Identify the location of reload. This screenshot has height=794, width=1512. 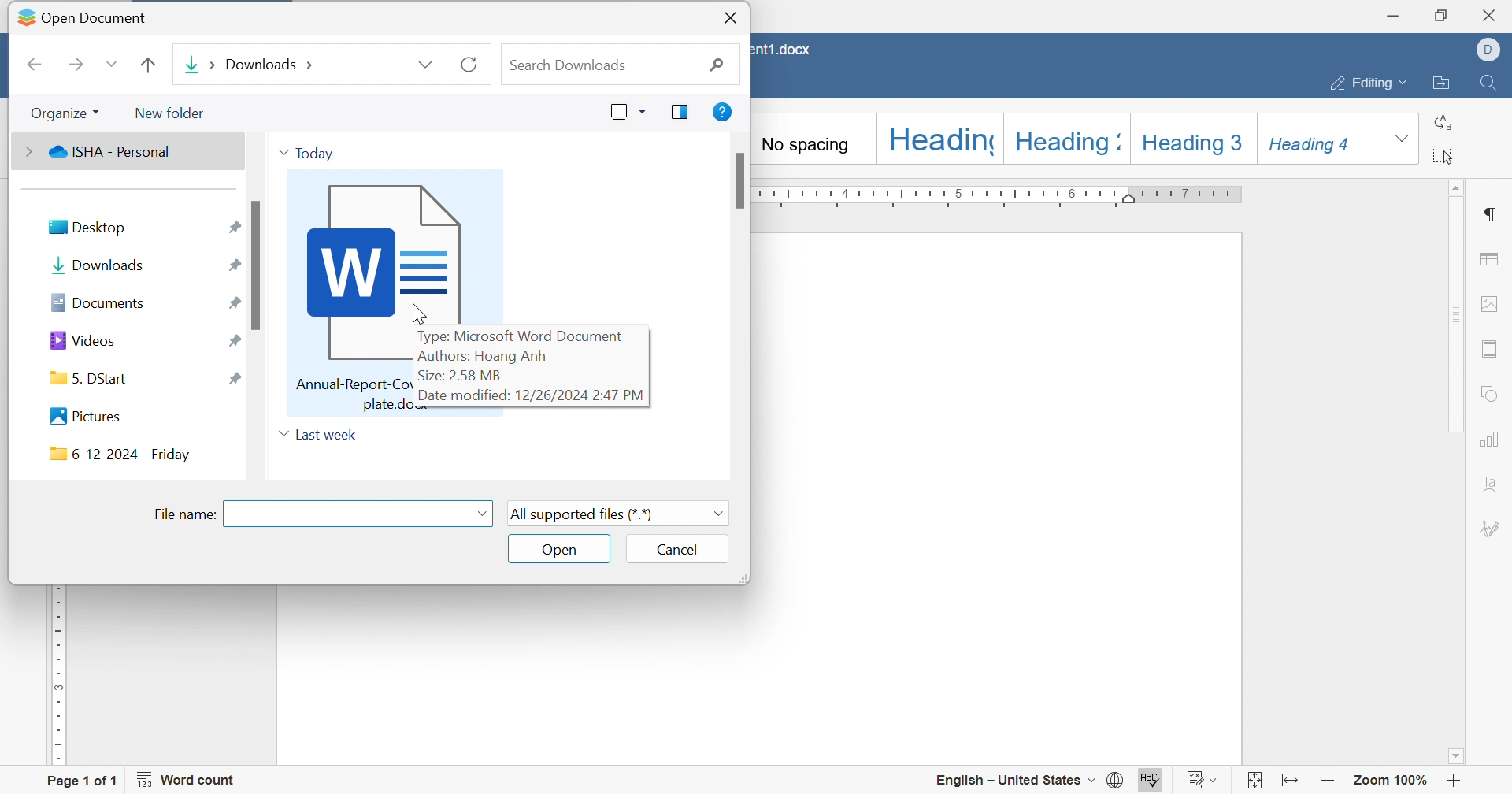
(468, 64).